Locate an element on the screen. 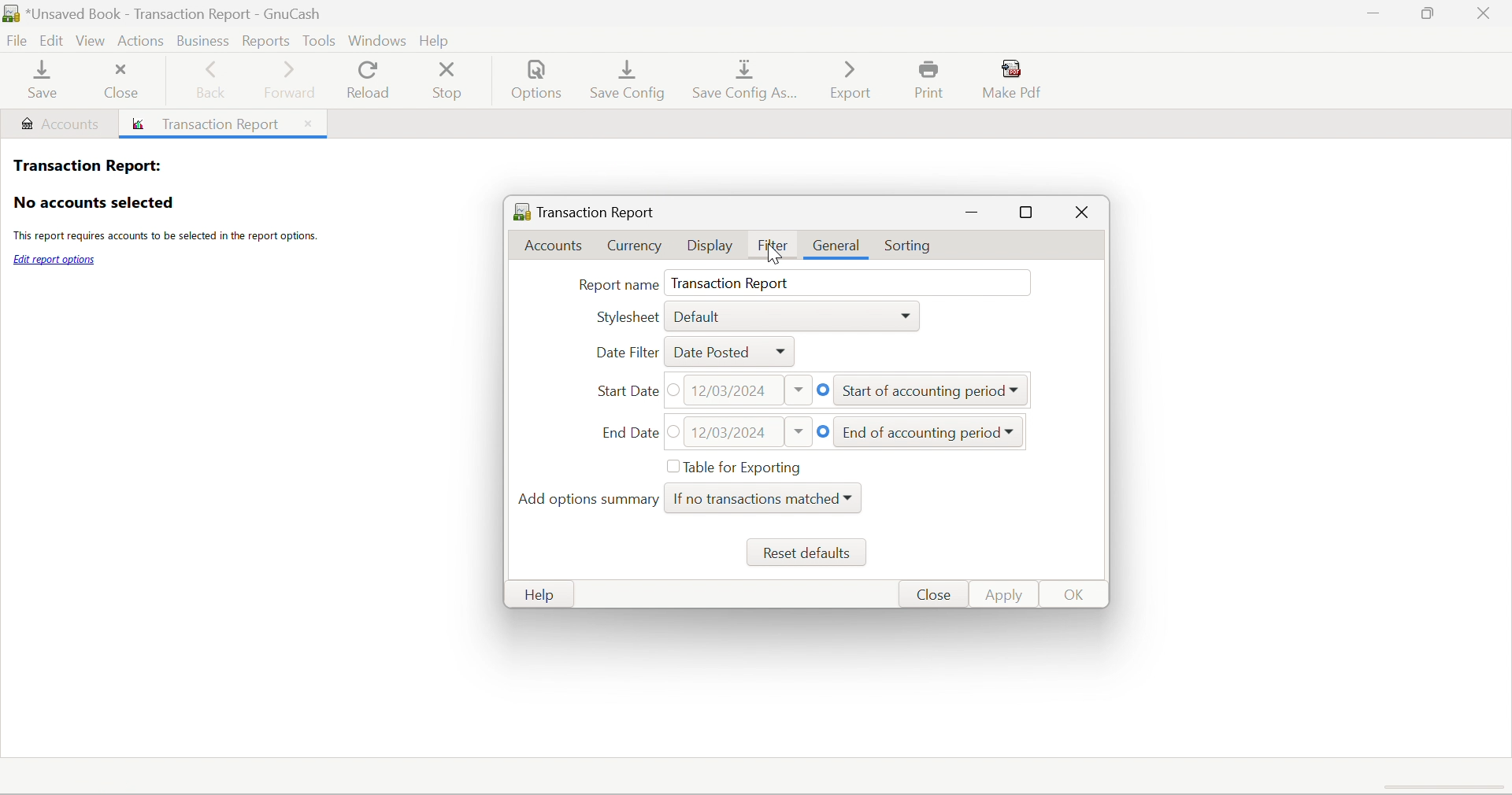  Make Pdf is located at coordinates (1017, 79).